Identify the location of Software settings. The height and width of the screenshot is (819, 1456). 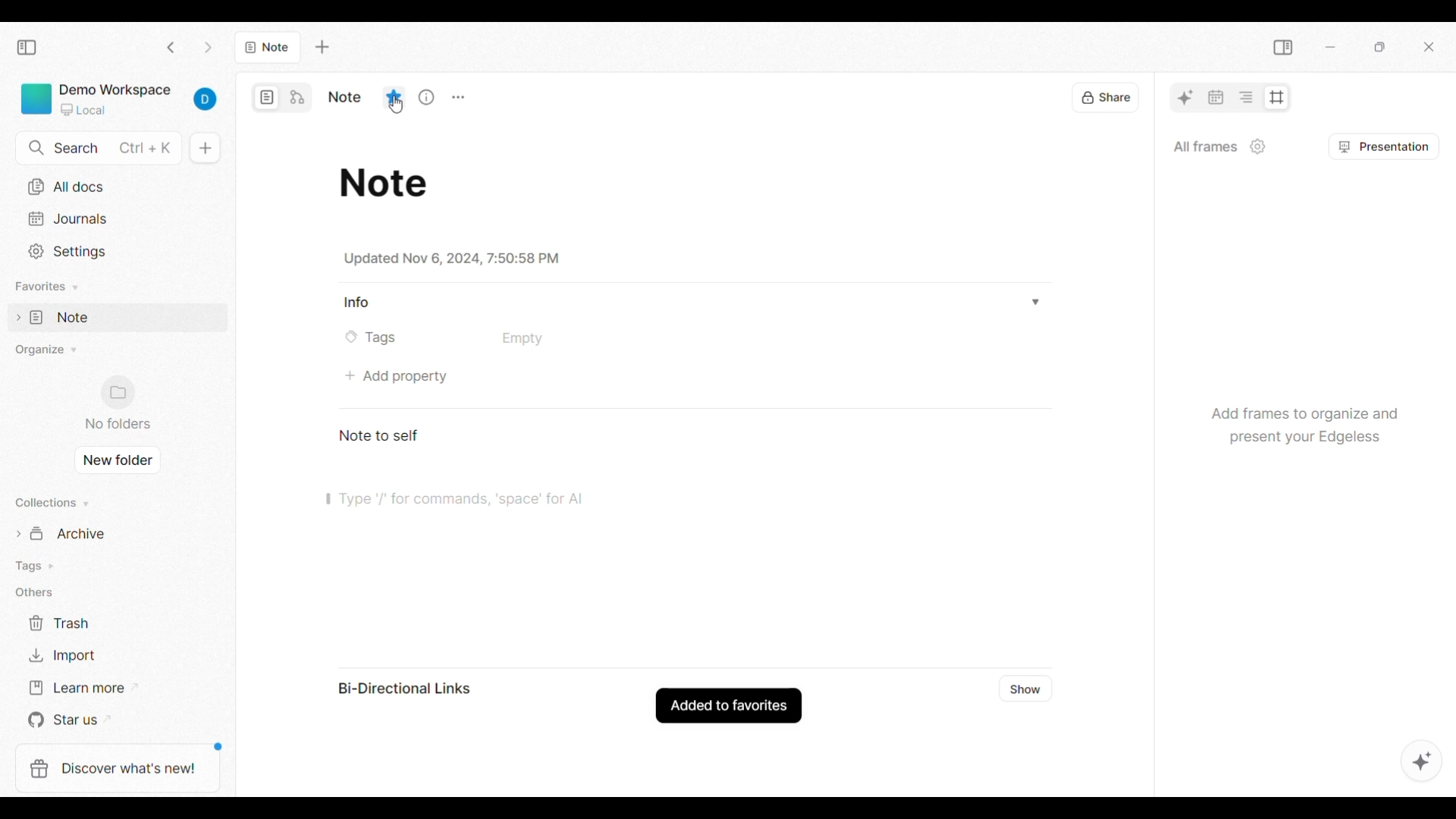
(118, 252).